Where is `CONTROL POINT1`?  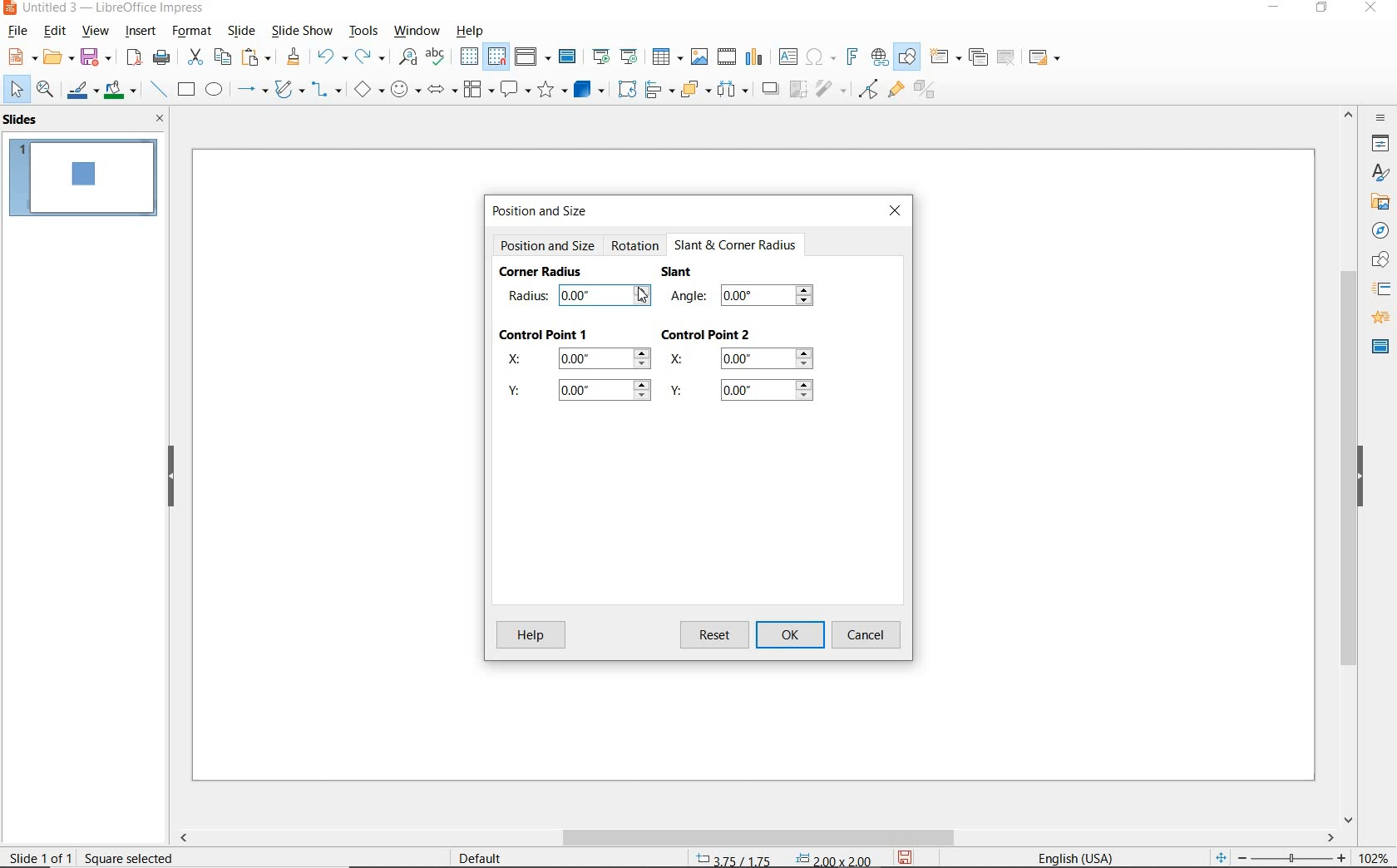 CONTROL POINT1 is located at coordinates (545, 333).